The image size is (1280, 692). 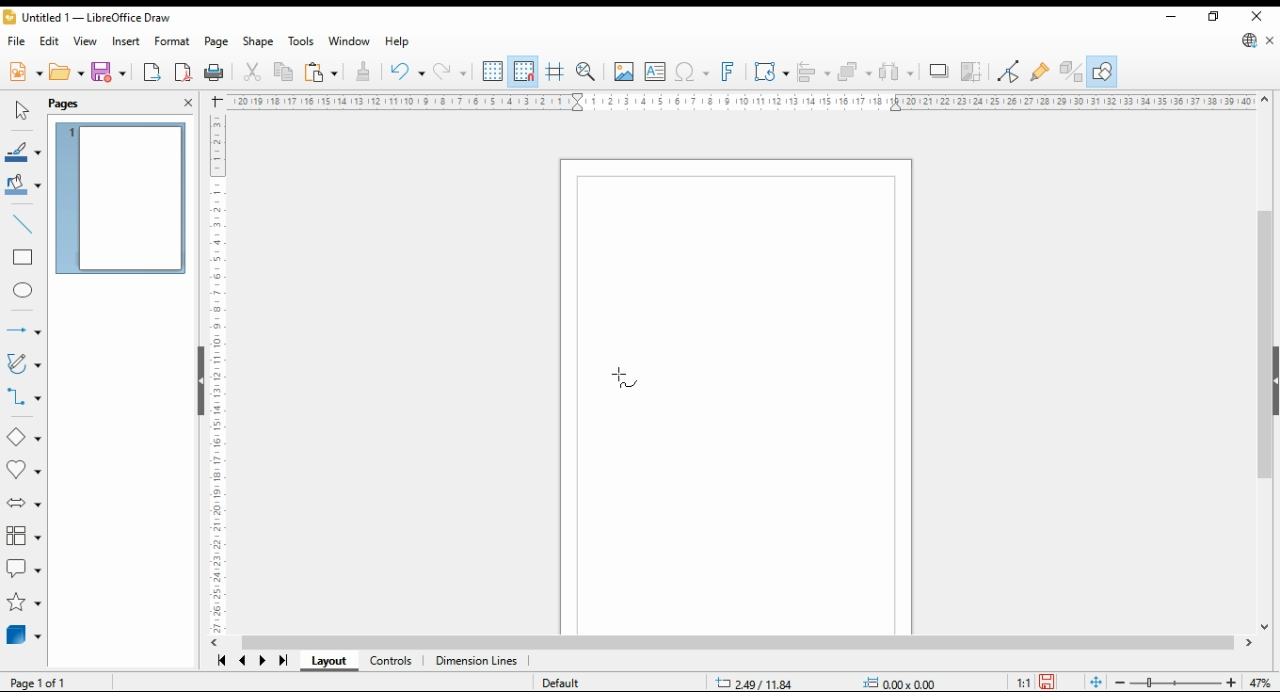 I want to click on snap to grid, so click(x=525, y=72).